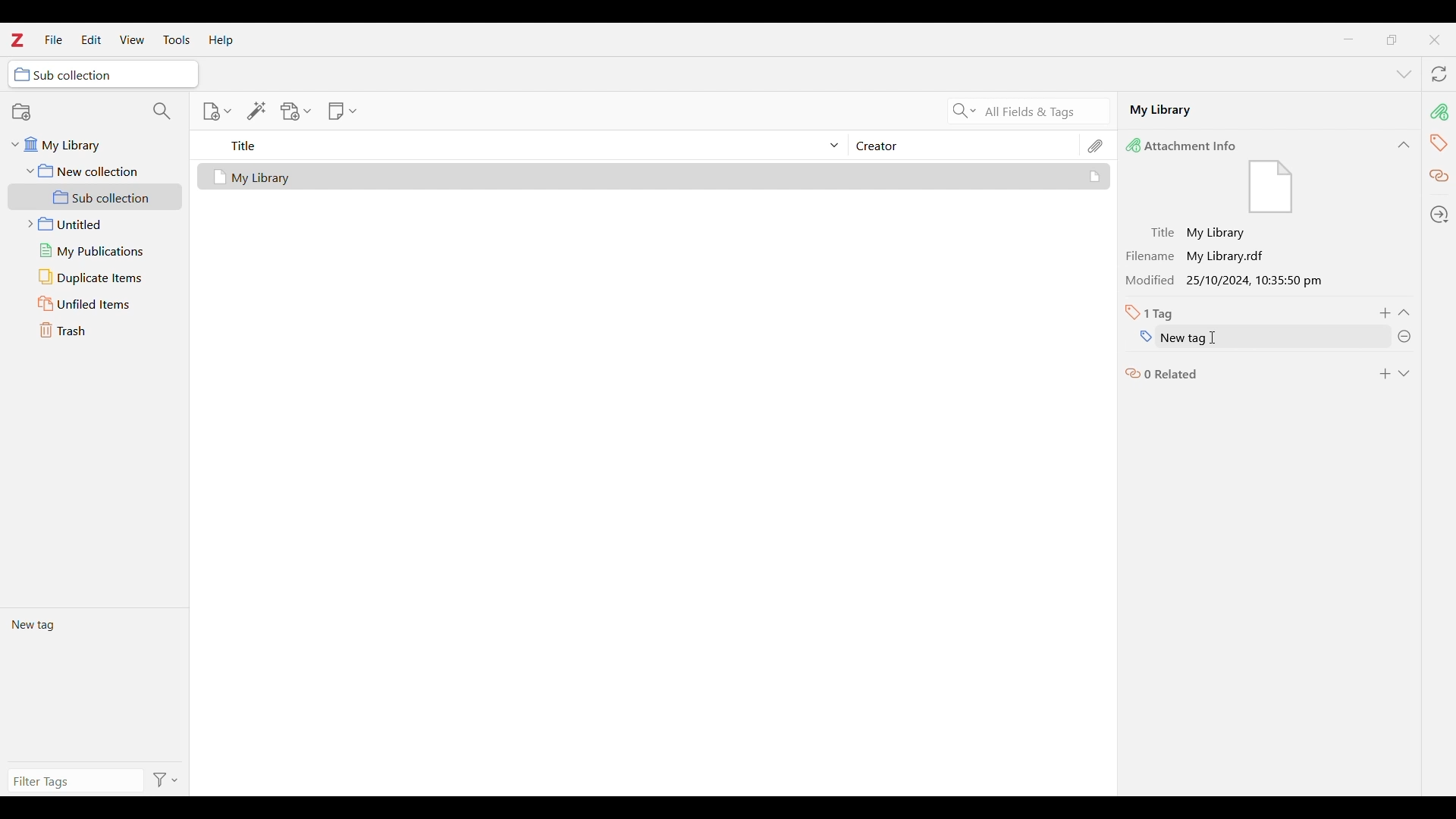 This screenshot has width=1456, height=819. I want to click on Expand, so click(1404, 374).